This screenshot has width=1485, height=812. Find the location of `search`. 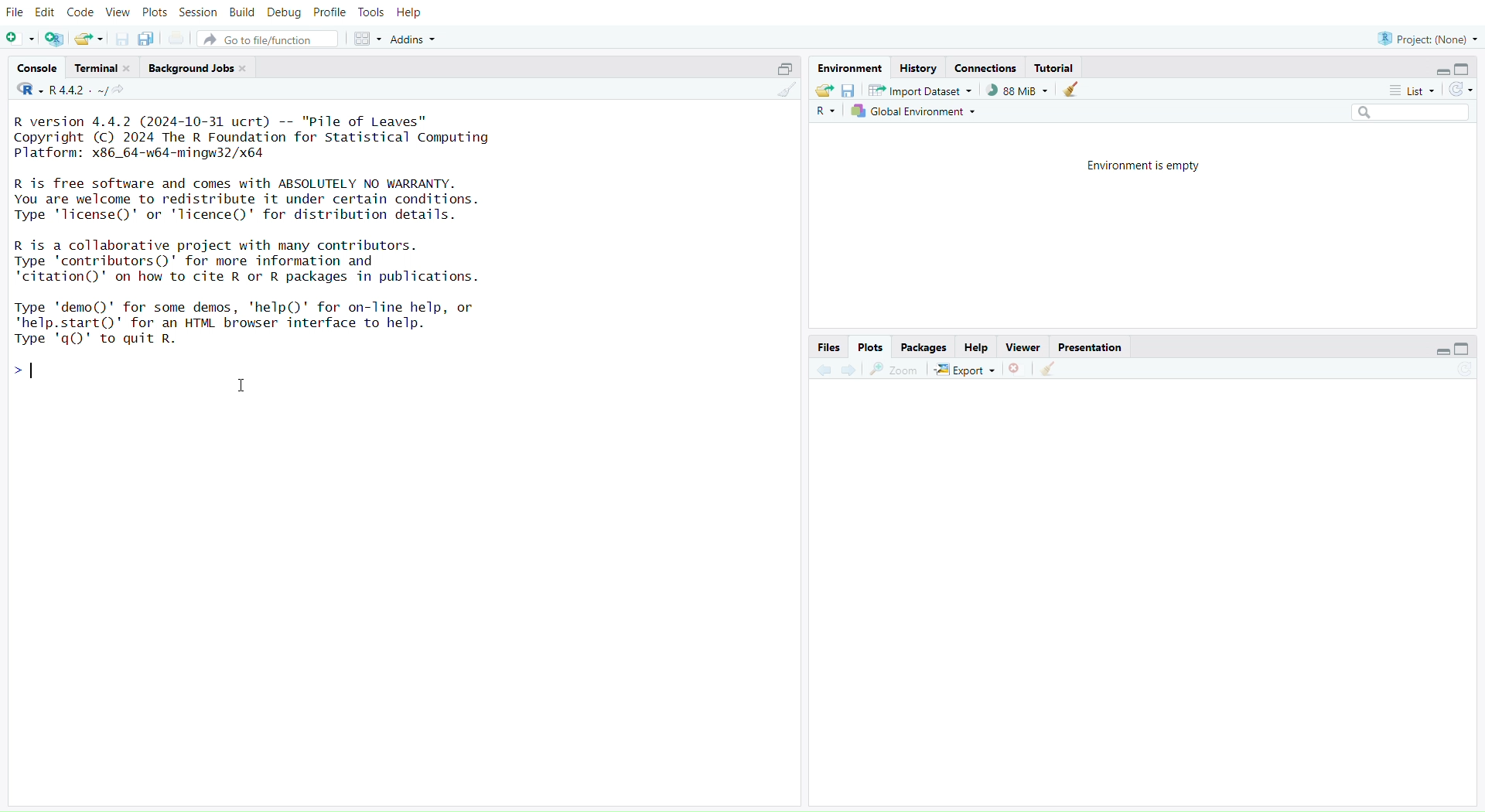

search is located at coordinates (1402, 113).